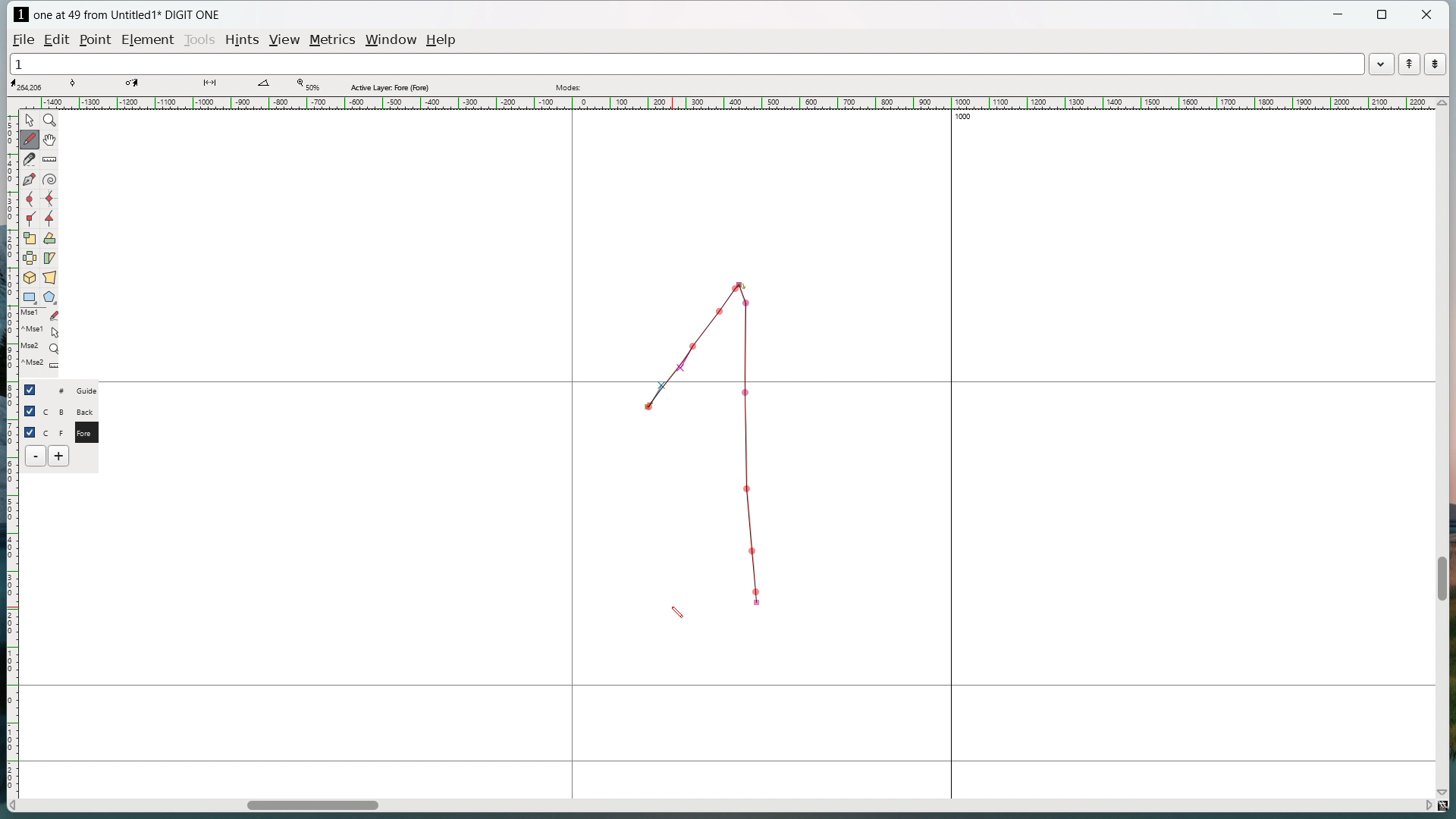 The width and height of the screenshot is (1456, 819). What do you see at coordinates (50, 180) in the screenshot?
I see `toggle spiral` at bounding box center [50, 180].